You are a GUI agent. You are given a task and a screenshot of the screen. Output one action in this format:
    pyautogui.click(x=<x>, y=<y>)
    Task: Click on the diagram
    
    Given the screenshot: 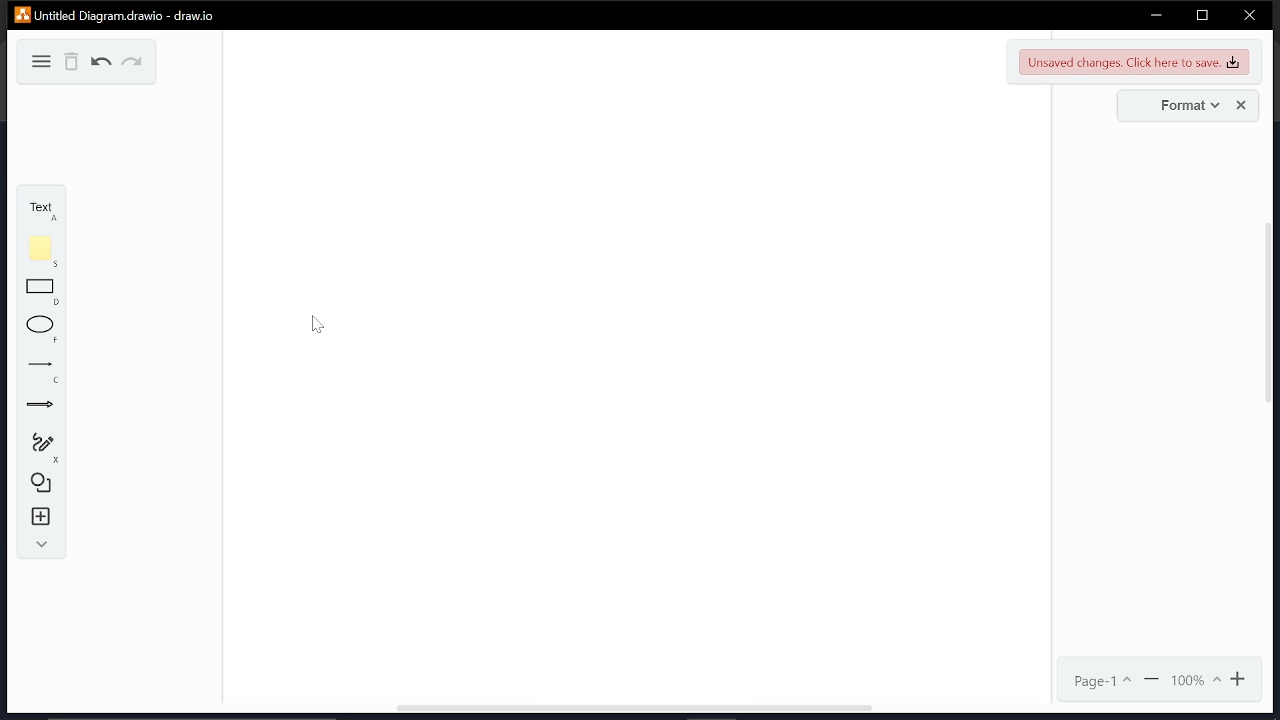 What is the action you would take?
    pyautogui.click(x=38, y=60)
    